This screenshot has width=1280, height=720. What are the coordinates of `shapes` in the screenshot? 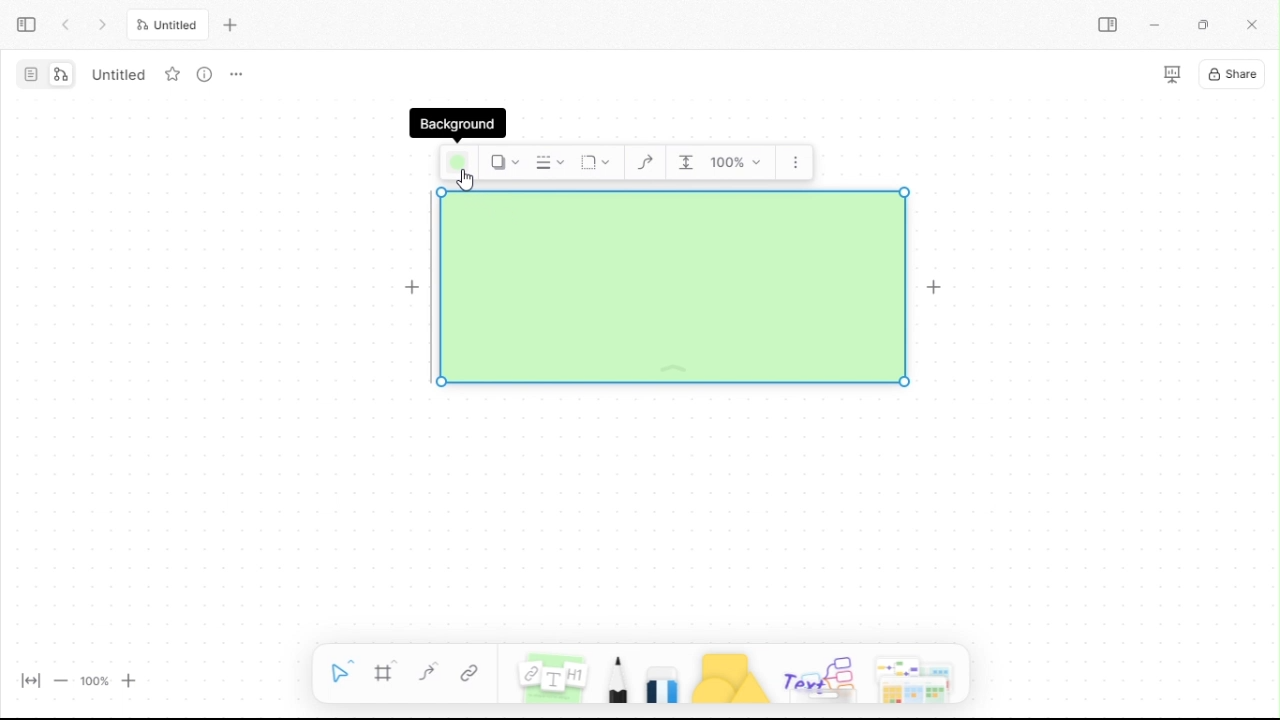 It's located at (730, 676).